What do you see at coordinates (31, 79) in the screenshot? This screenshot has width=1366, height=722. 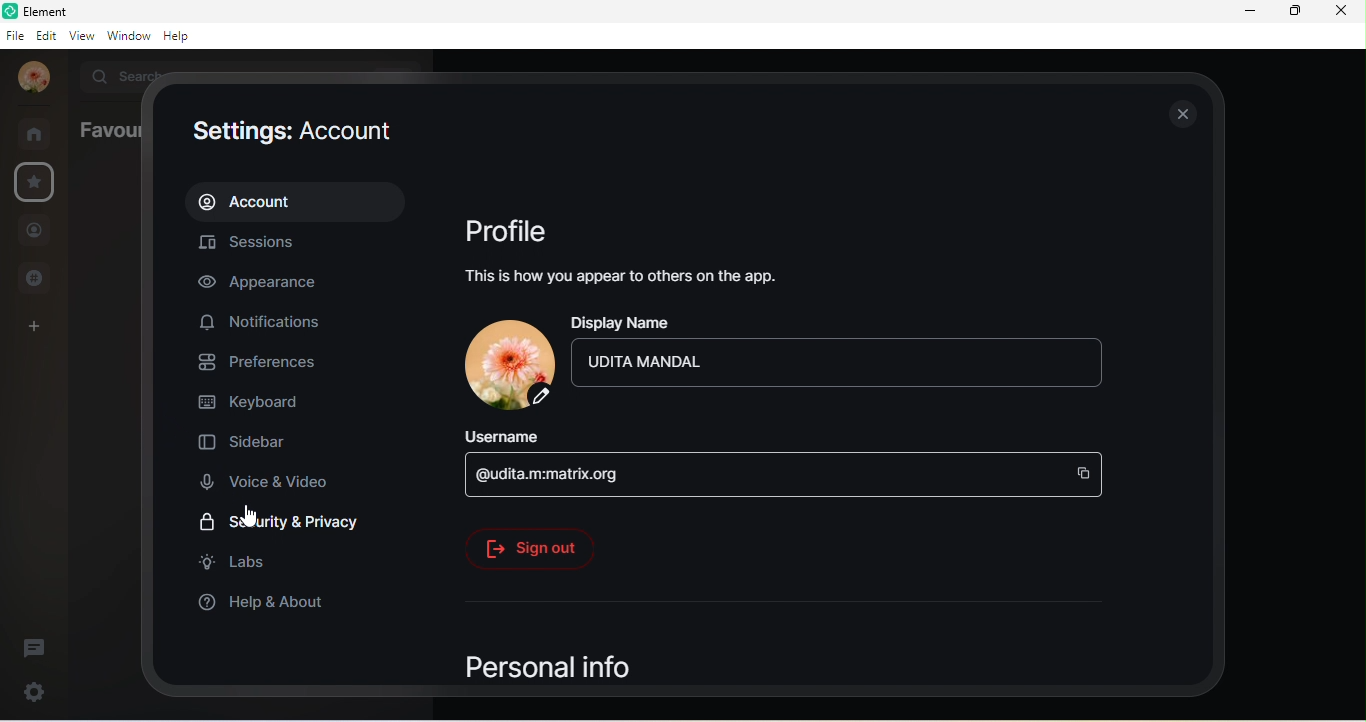 I see `account` at bounding box center [31, 79].